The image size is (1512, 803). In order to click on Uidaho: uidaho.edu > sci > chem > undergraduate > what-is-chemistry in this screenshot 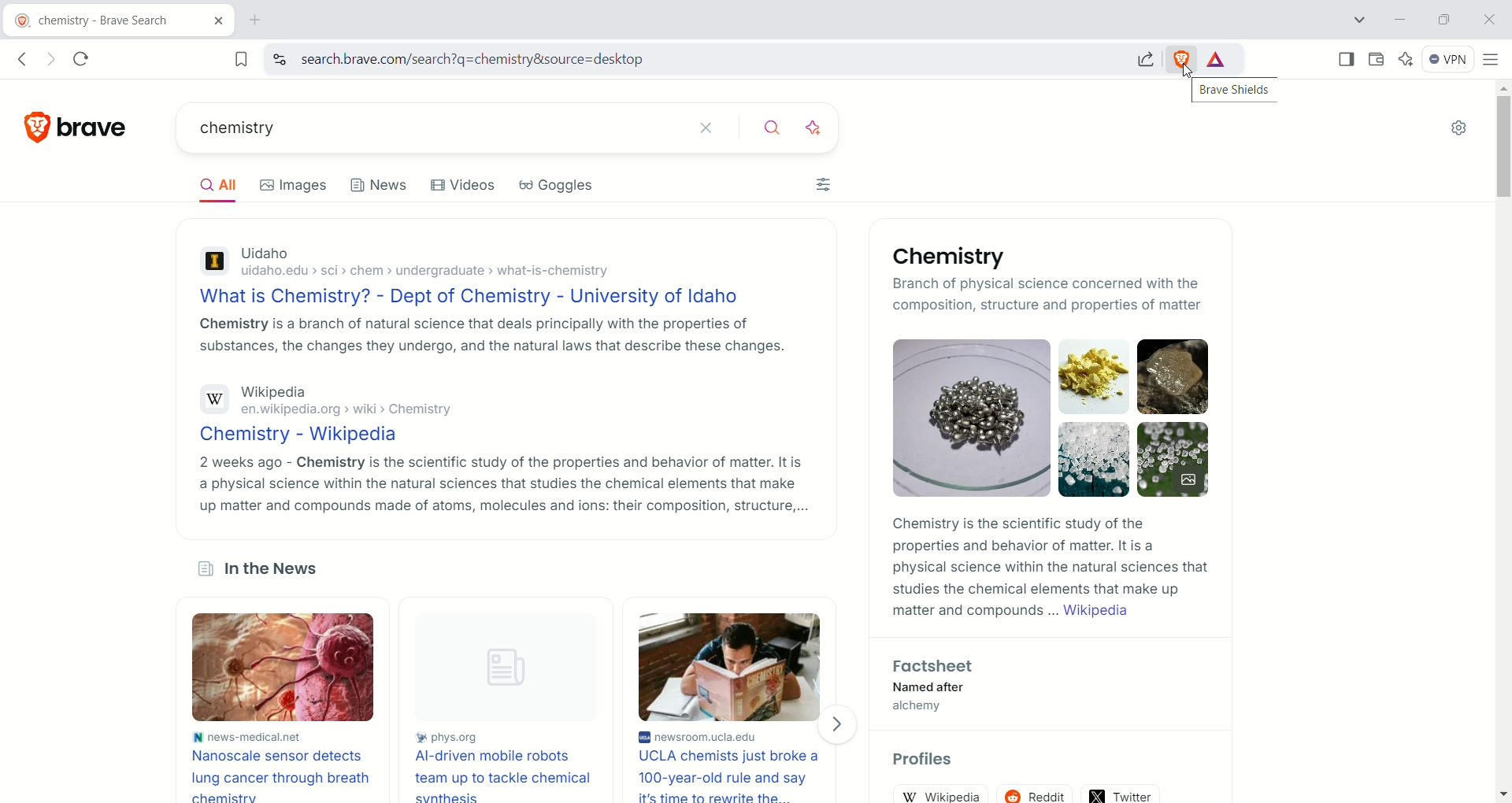, I will do `click(489, 264)`.